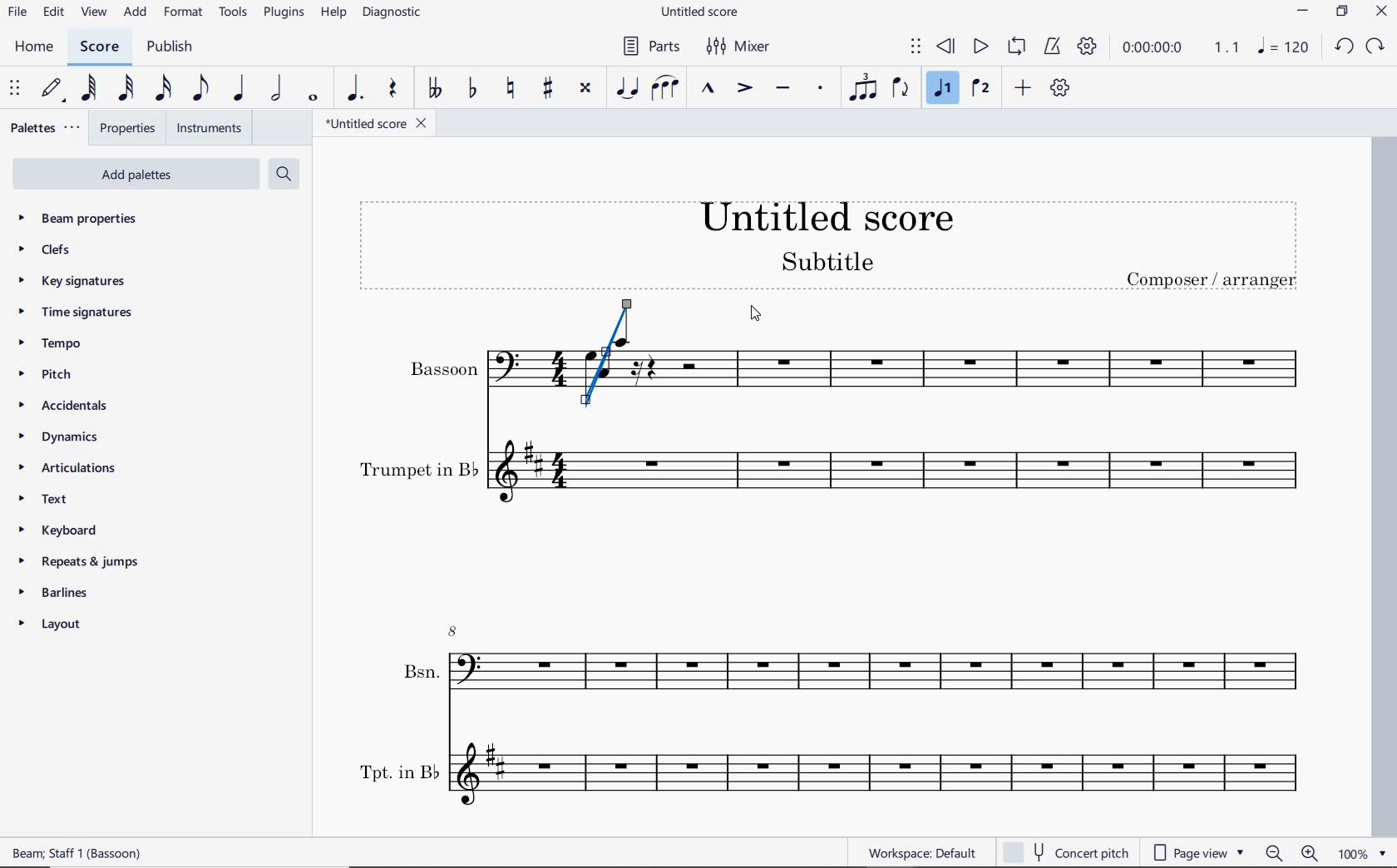 The width and height of the screenshot is (1397, 868). What do you see at coordinates (822, 89) in the screenshot?
I see `staccato` at bounding box center [822, 89].